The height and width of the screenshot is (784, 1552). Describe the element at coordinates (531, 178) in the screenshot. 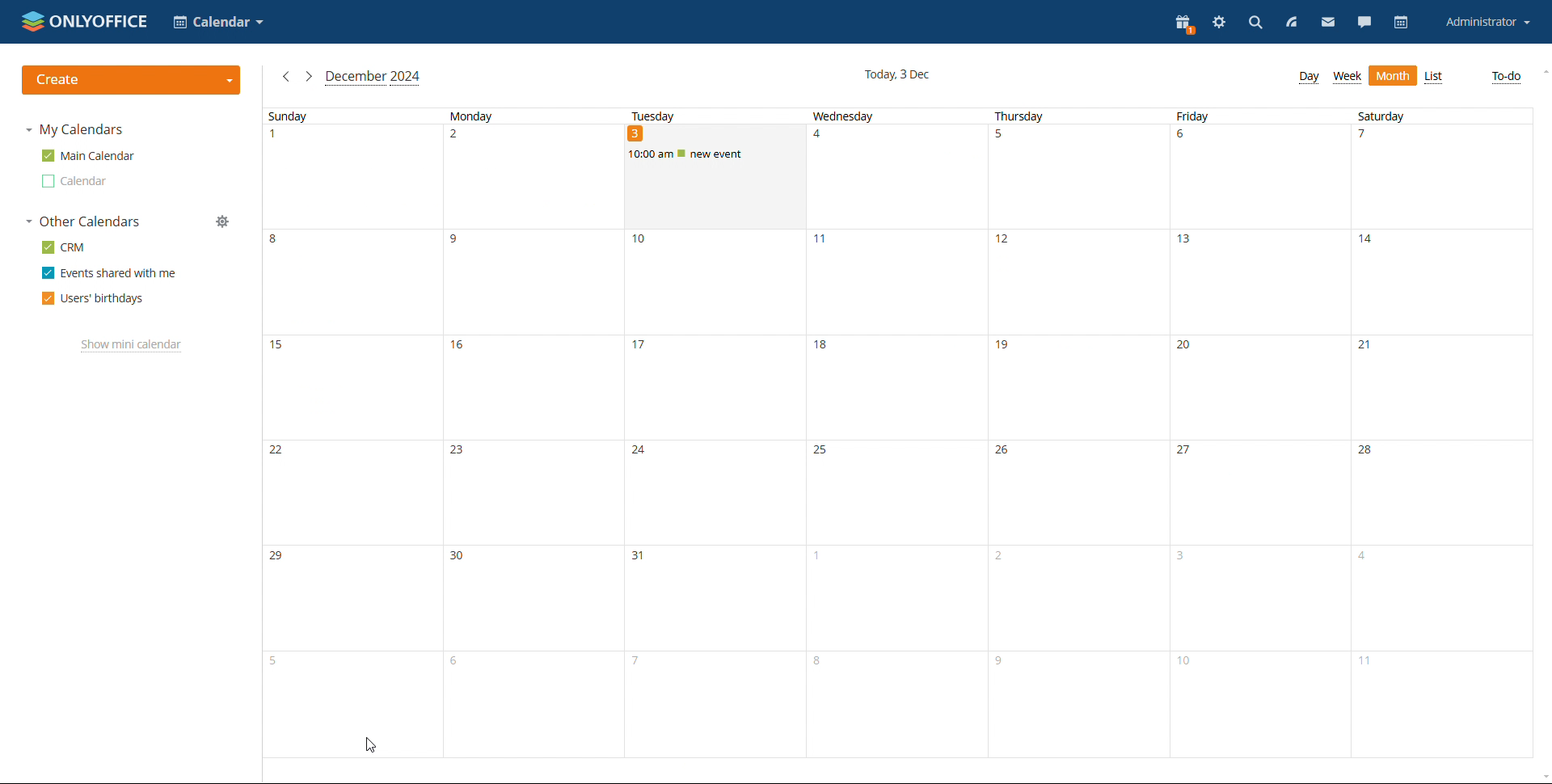

I see `2` at that location.